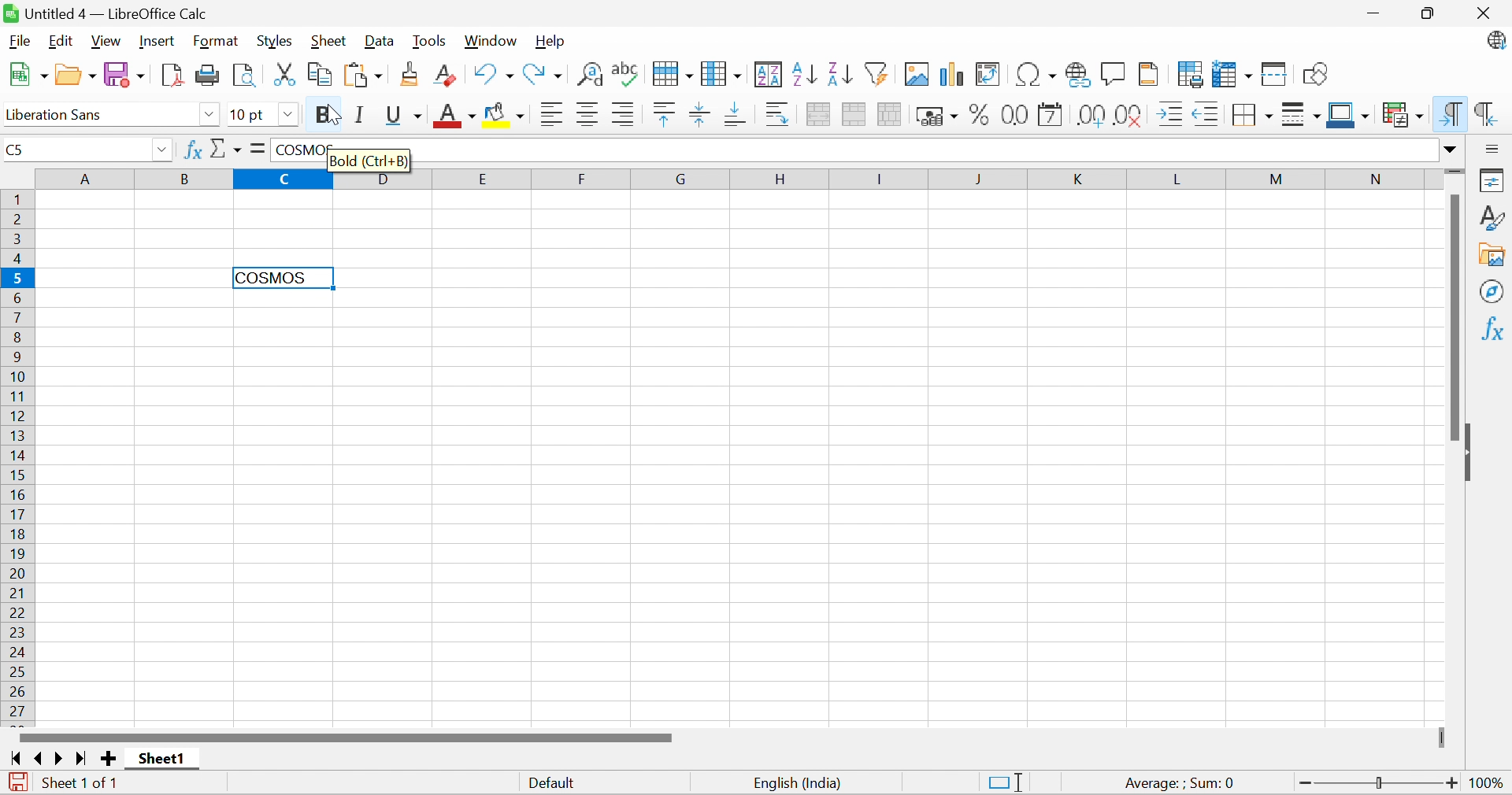 The height and width of the screenshot is (795, 1512). I want to click on Cursor, so click(330, 113).